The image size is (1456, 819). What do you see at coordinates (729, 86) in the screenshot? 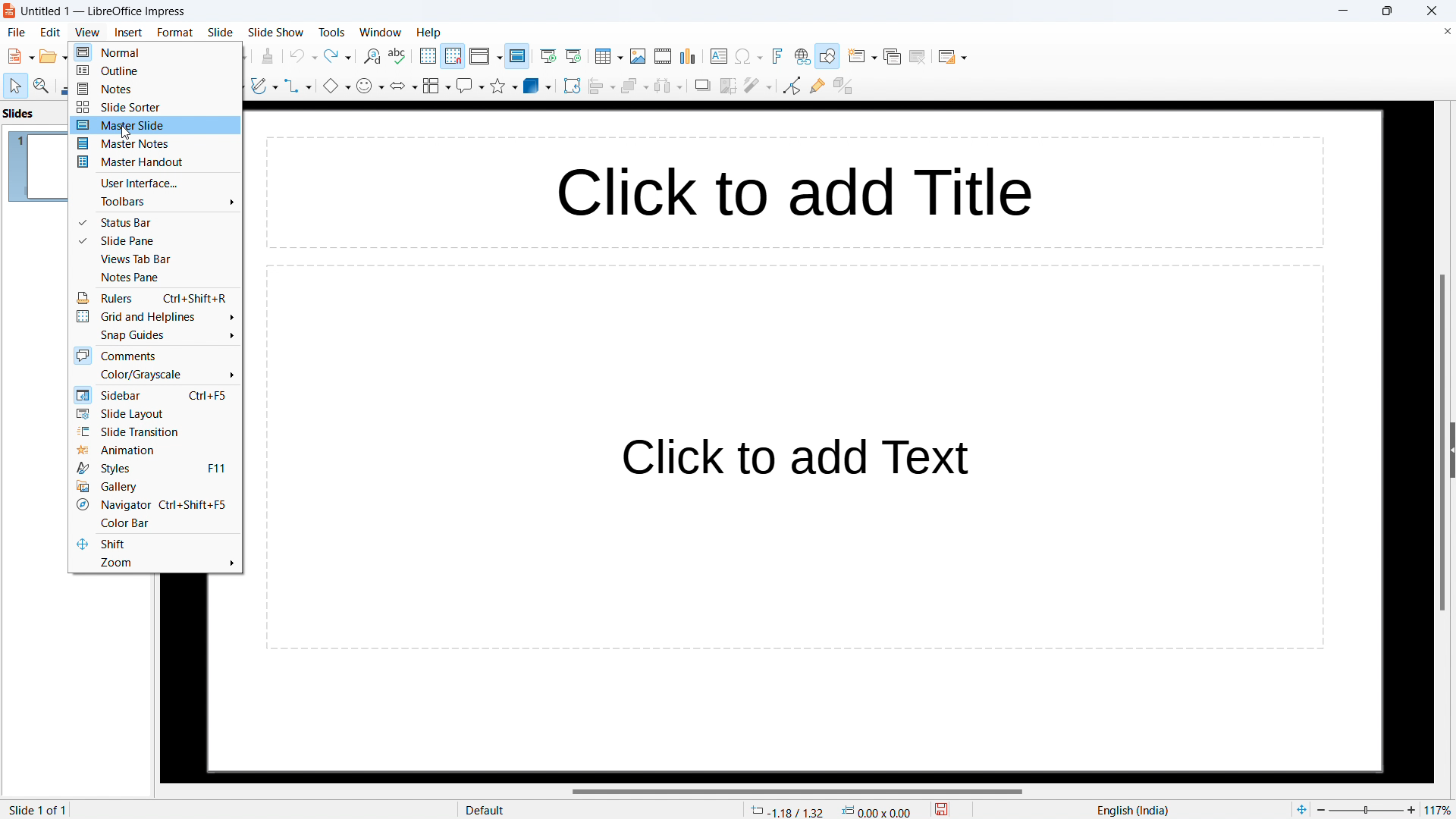
I see `crop` at bounding box center [729, 86].